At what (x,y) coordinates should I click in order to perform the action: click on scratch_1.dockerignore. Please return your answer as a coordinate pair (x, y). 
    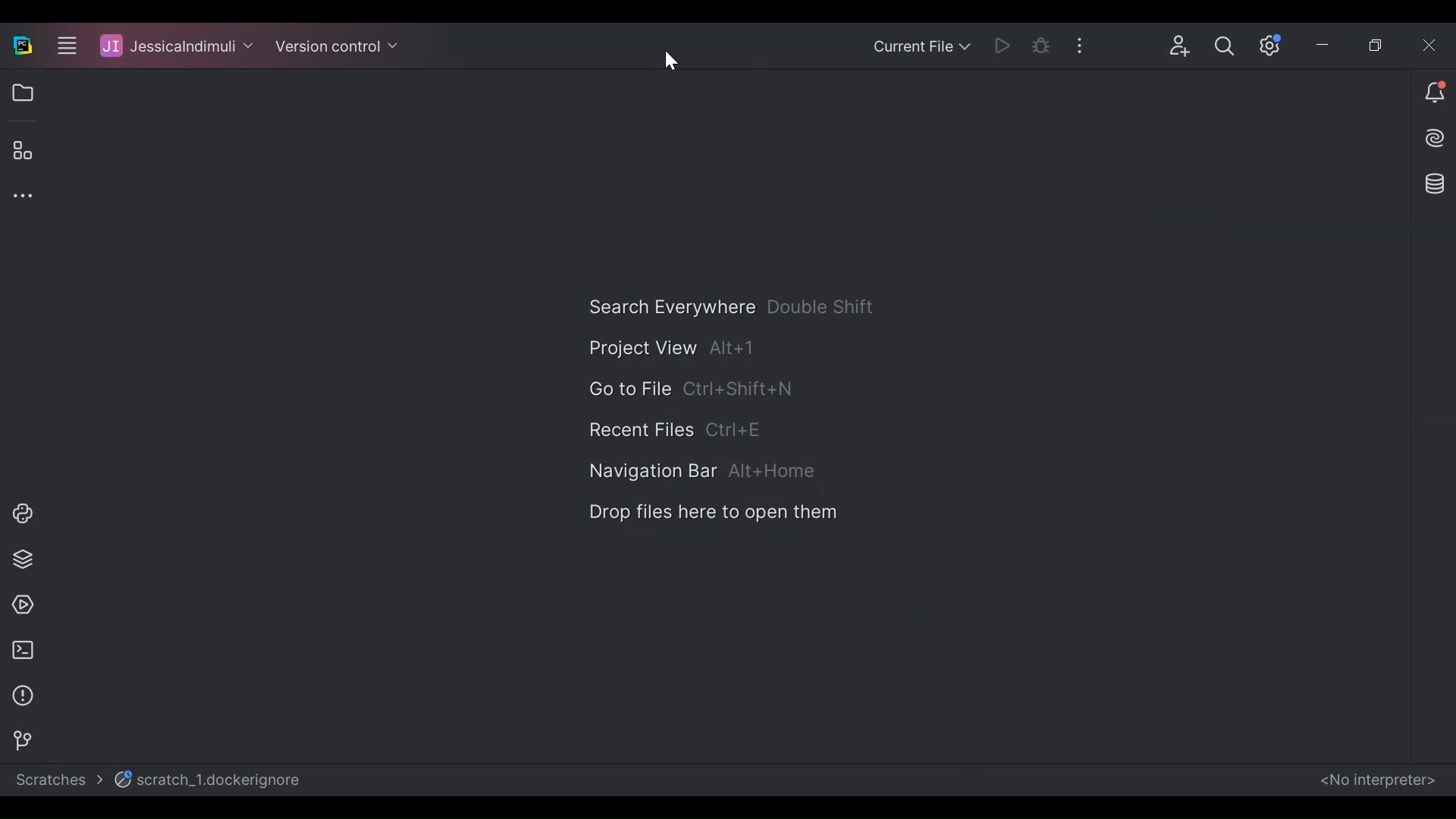
    Looking at the image, I should click on (213, 780).